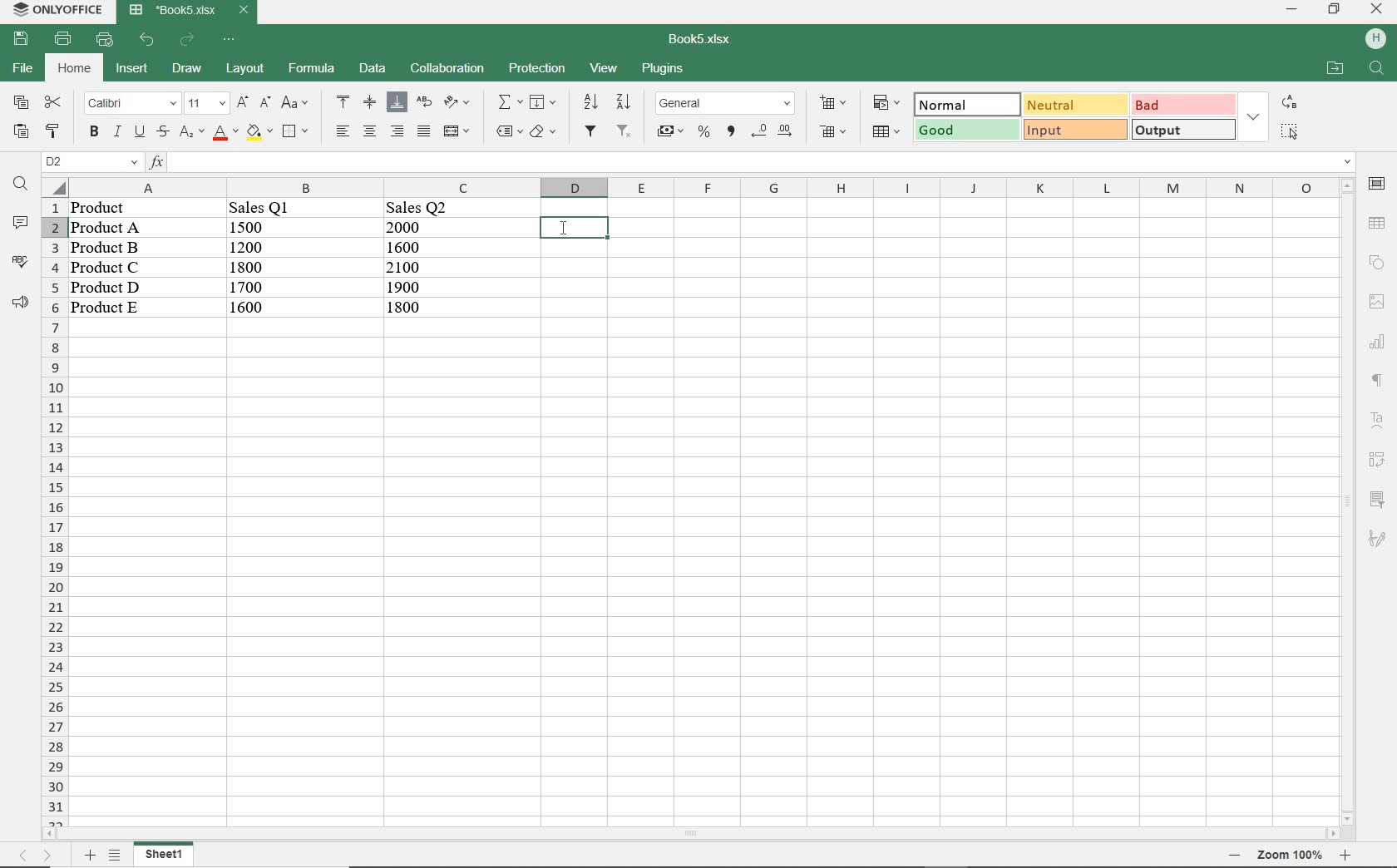 The height and width of the screenshot is (868, 1397). Describe the element at coordinates (117, 133) in the screenshot. I see `italic` at that location.